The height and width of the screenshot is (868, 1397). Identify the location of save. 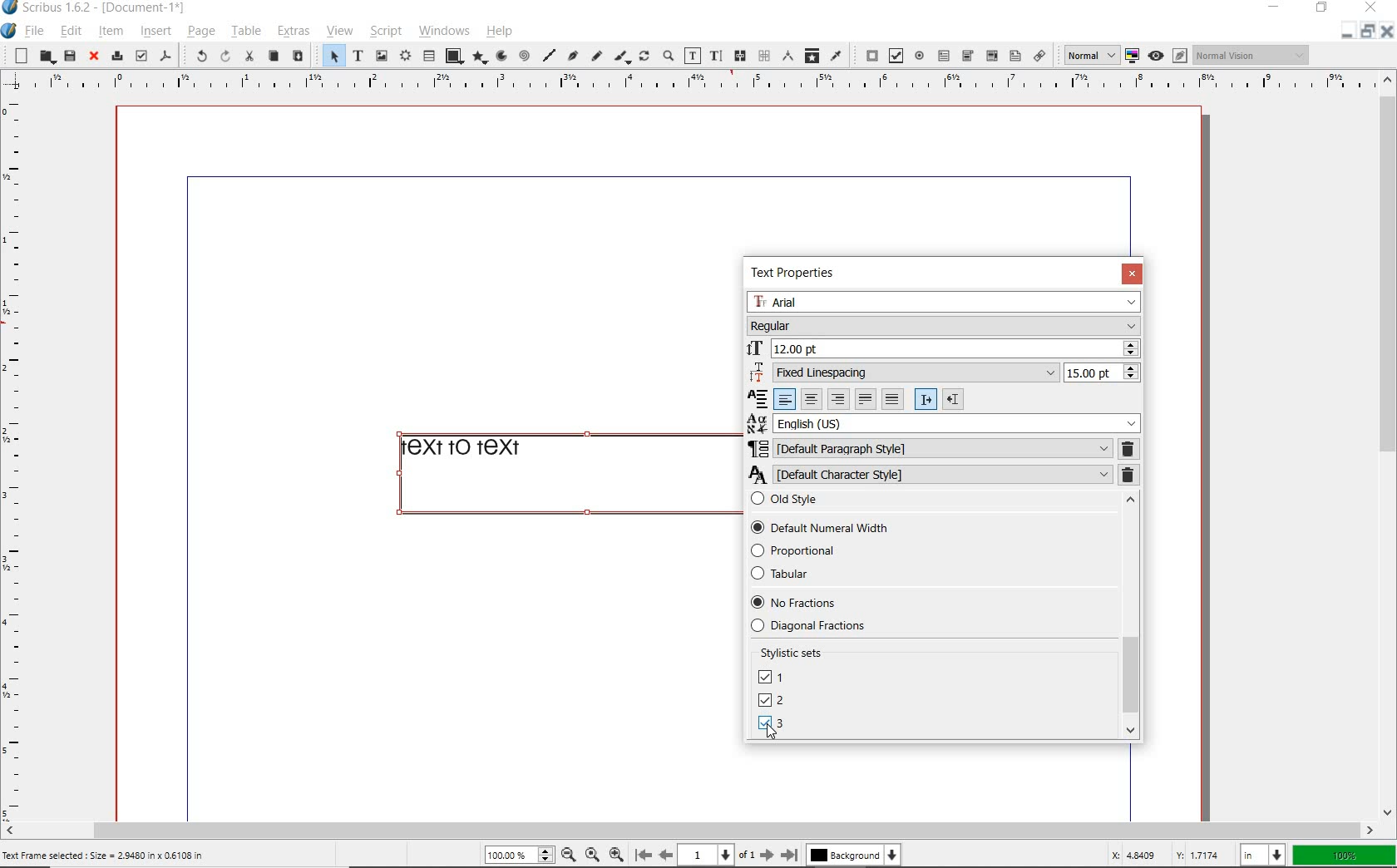
(69, 56).